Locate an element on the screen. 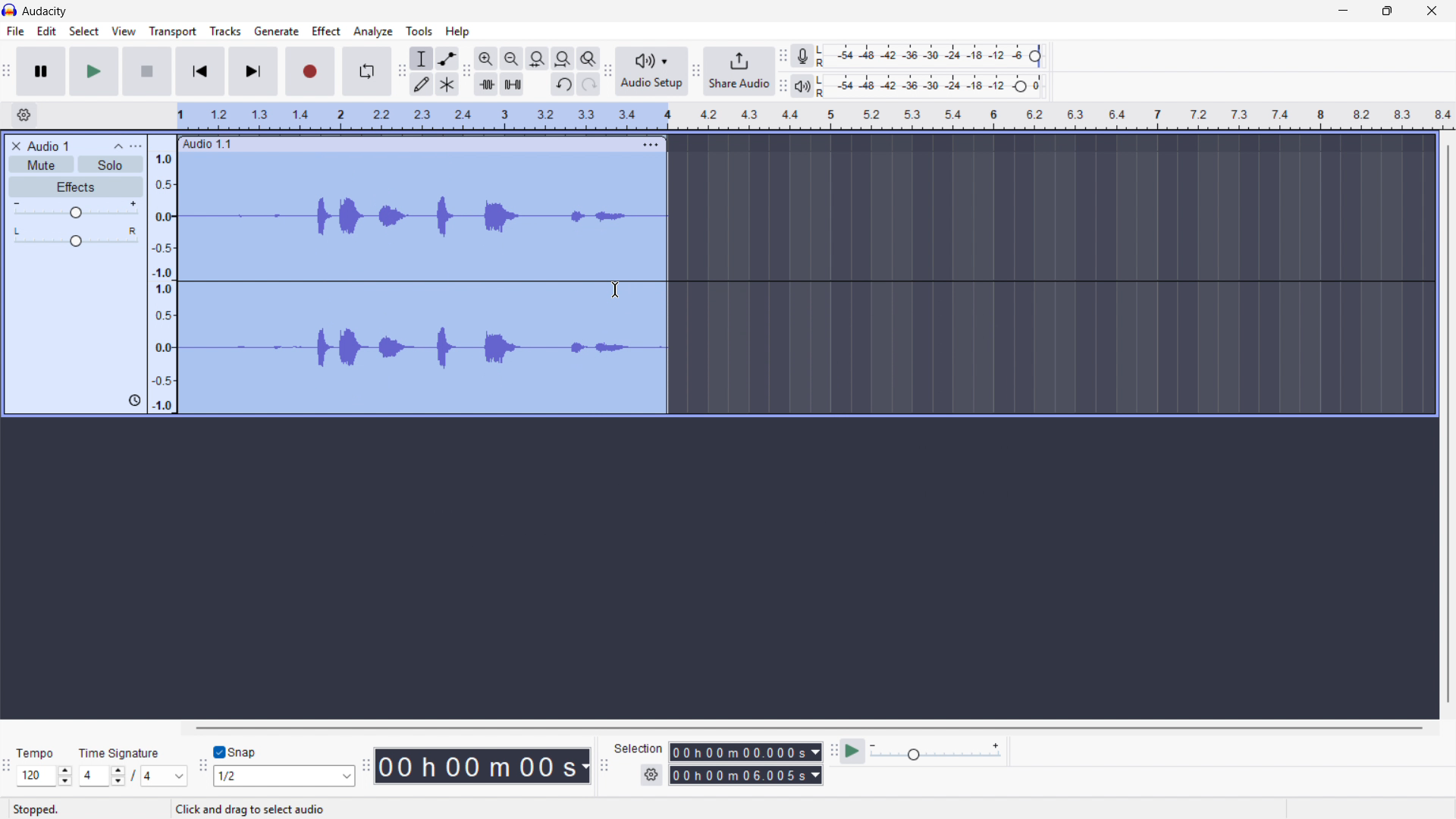  Transport toolbar  is located at coordinates (6, 73).